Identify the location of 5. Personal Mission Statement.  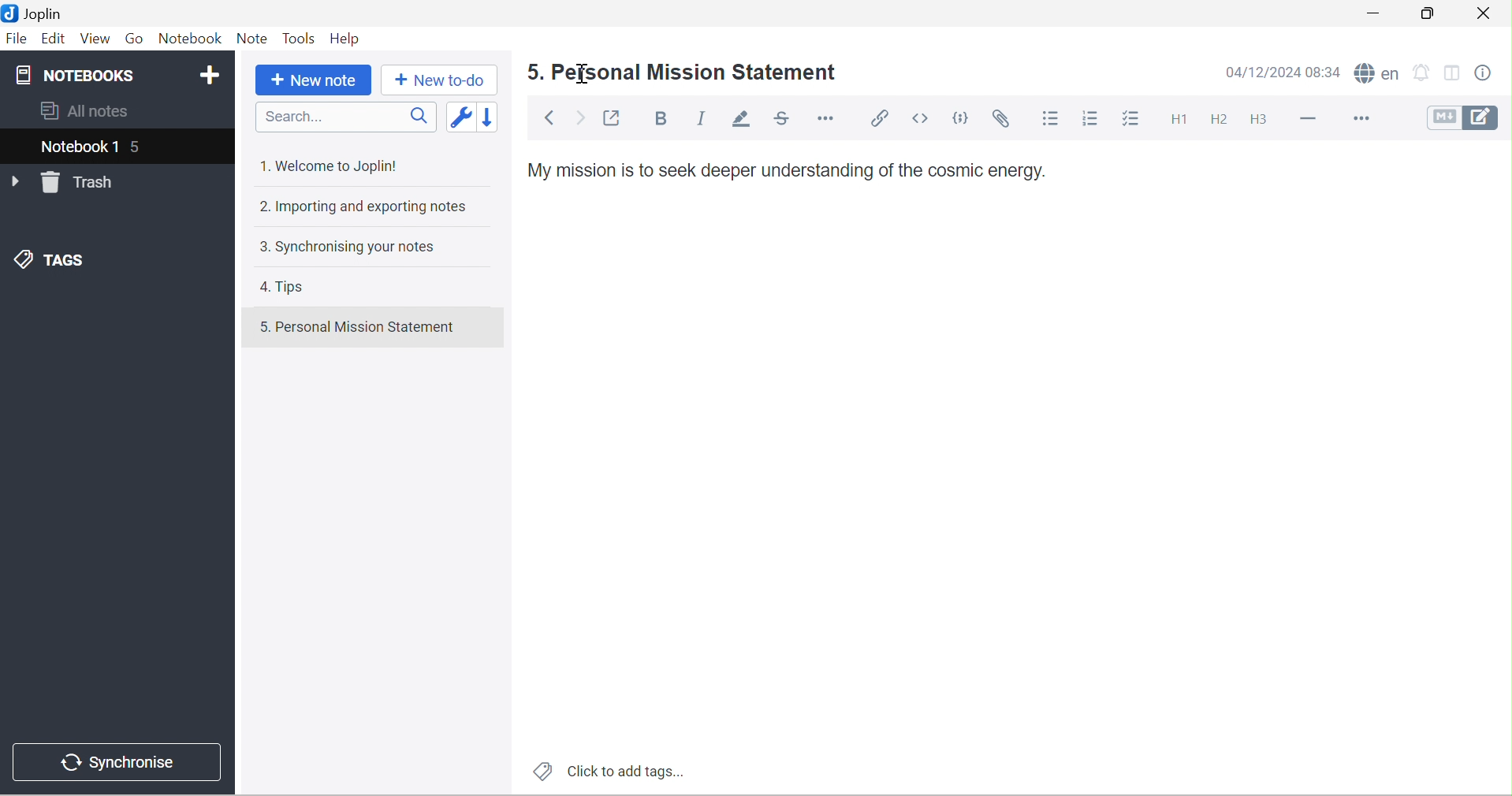
(359, 326).